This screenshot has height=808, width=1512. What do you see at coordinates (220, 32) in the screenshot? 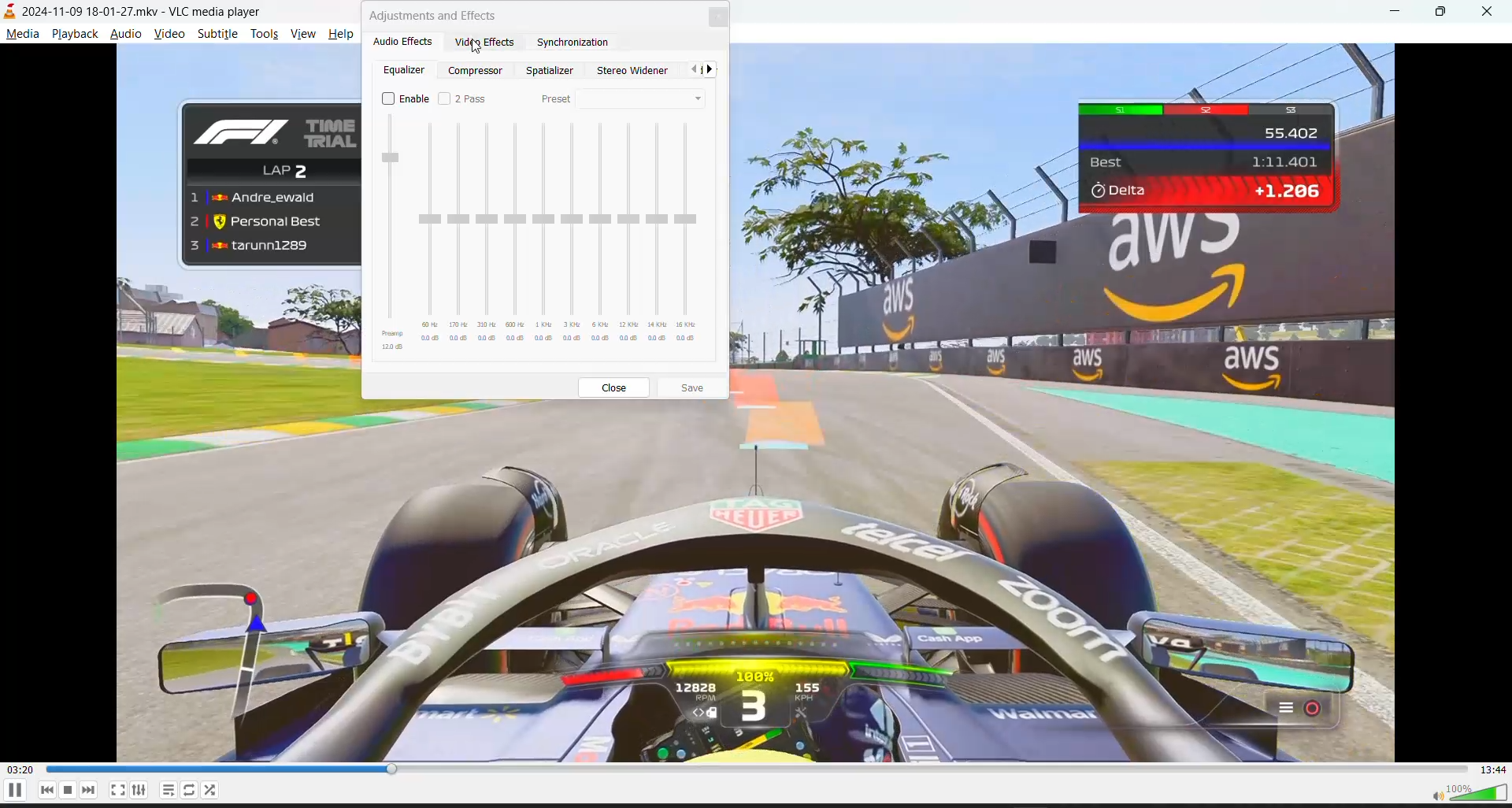
I see `subtitle` at bounding box center [220, 32].